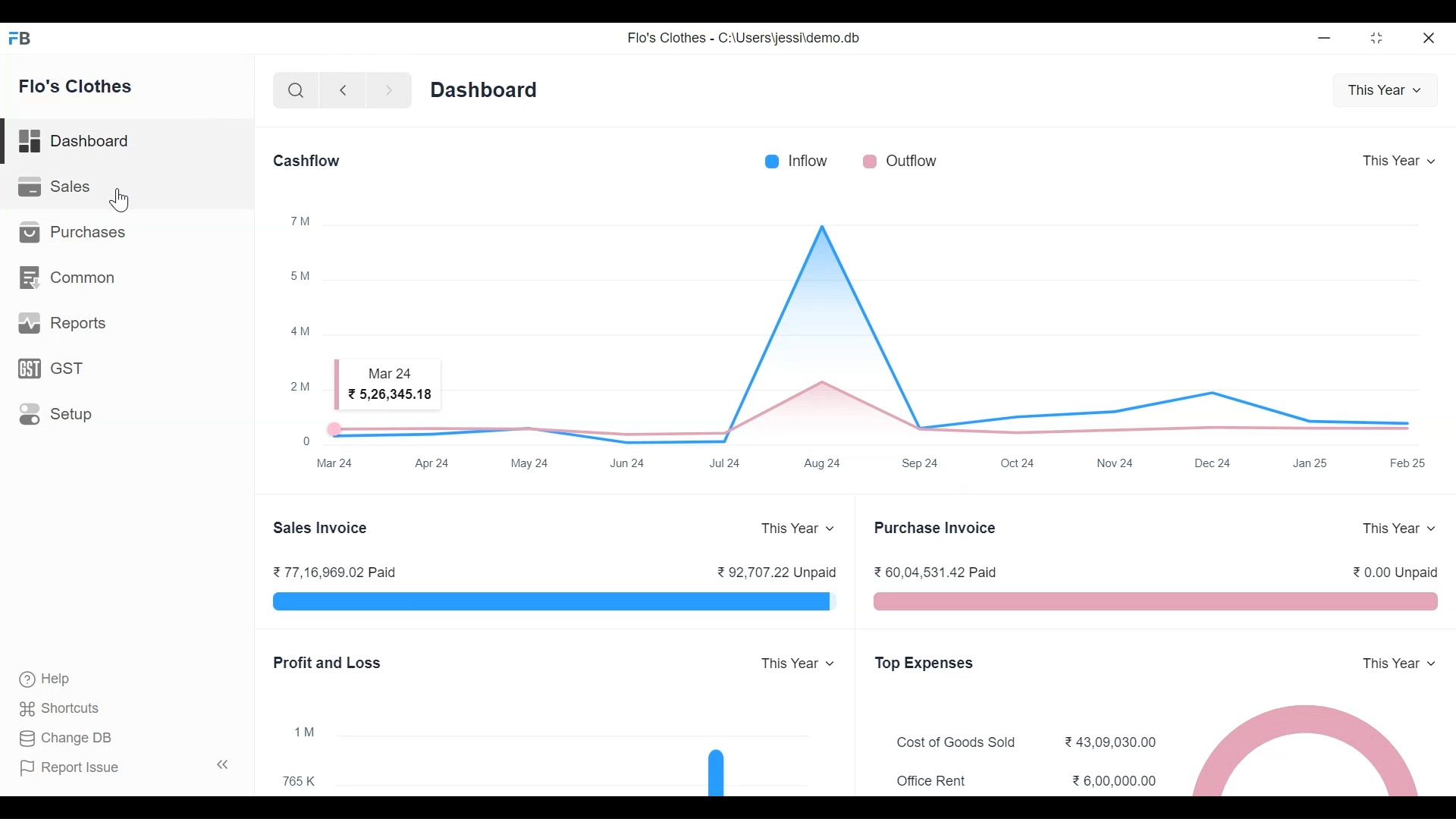  I want to click on Navigate Back, so click(342, 91).